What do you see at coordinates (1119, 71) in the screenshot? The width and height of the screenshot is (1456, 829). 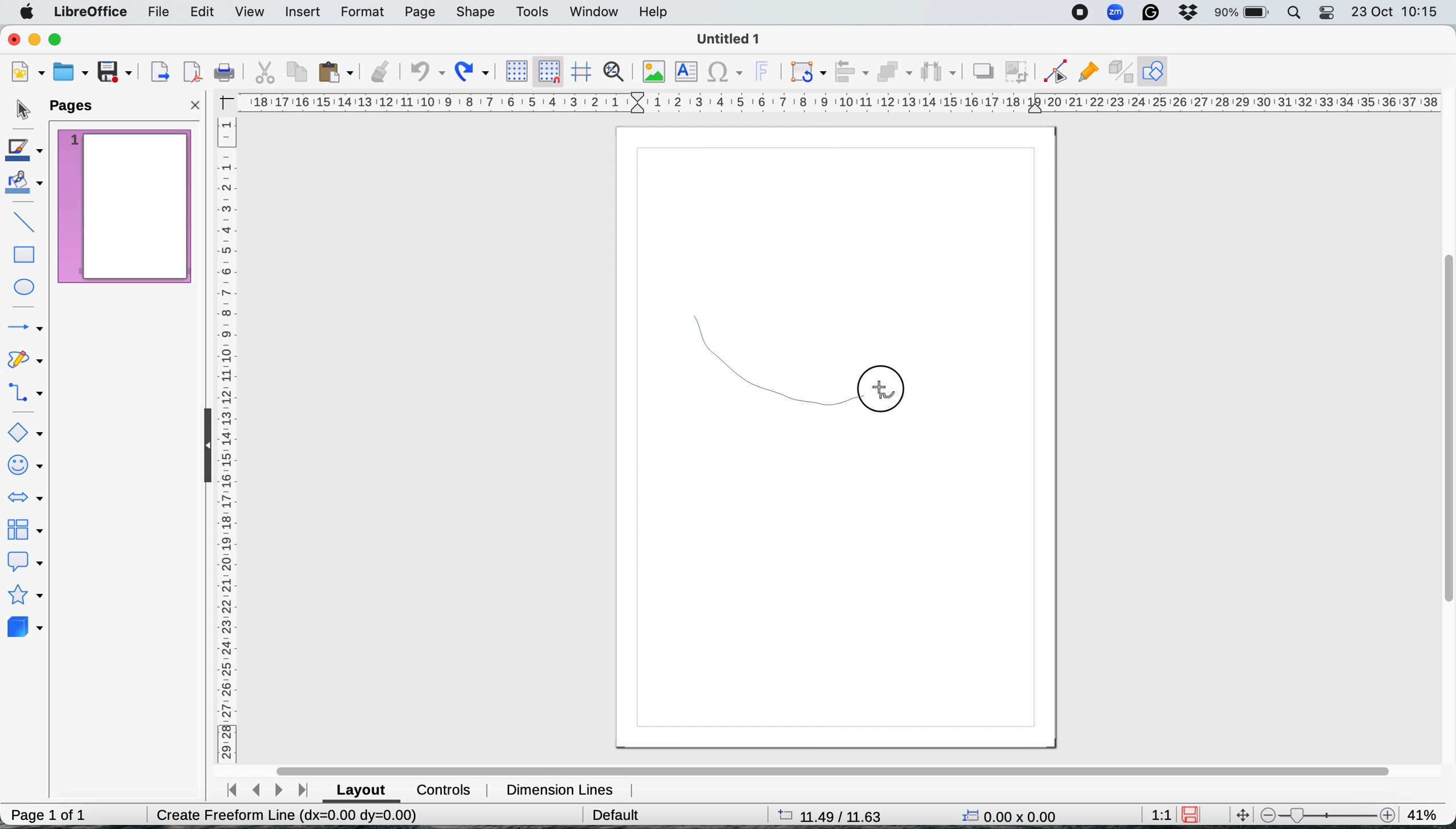 I see `toggle extrusions` at bounding box center [1119, 71].